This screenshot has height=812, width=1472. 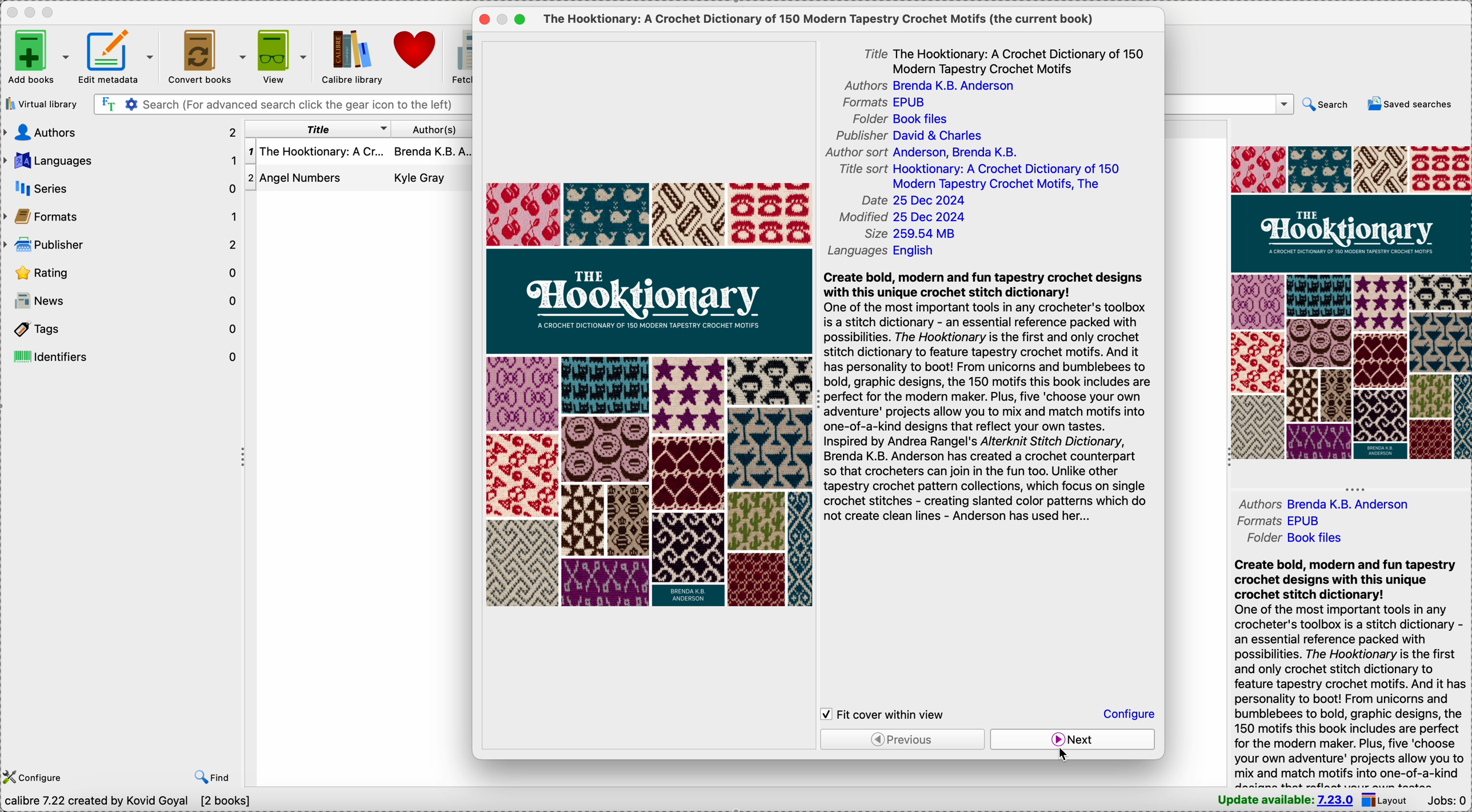 I want to click on publisher, so click(x=122, y=245).